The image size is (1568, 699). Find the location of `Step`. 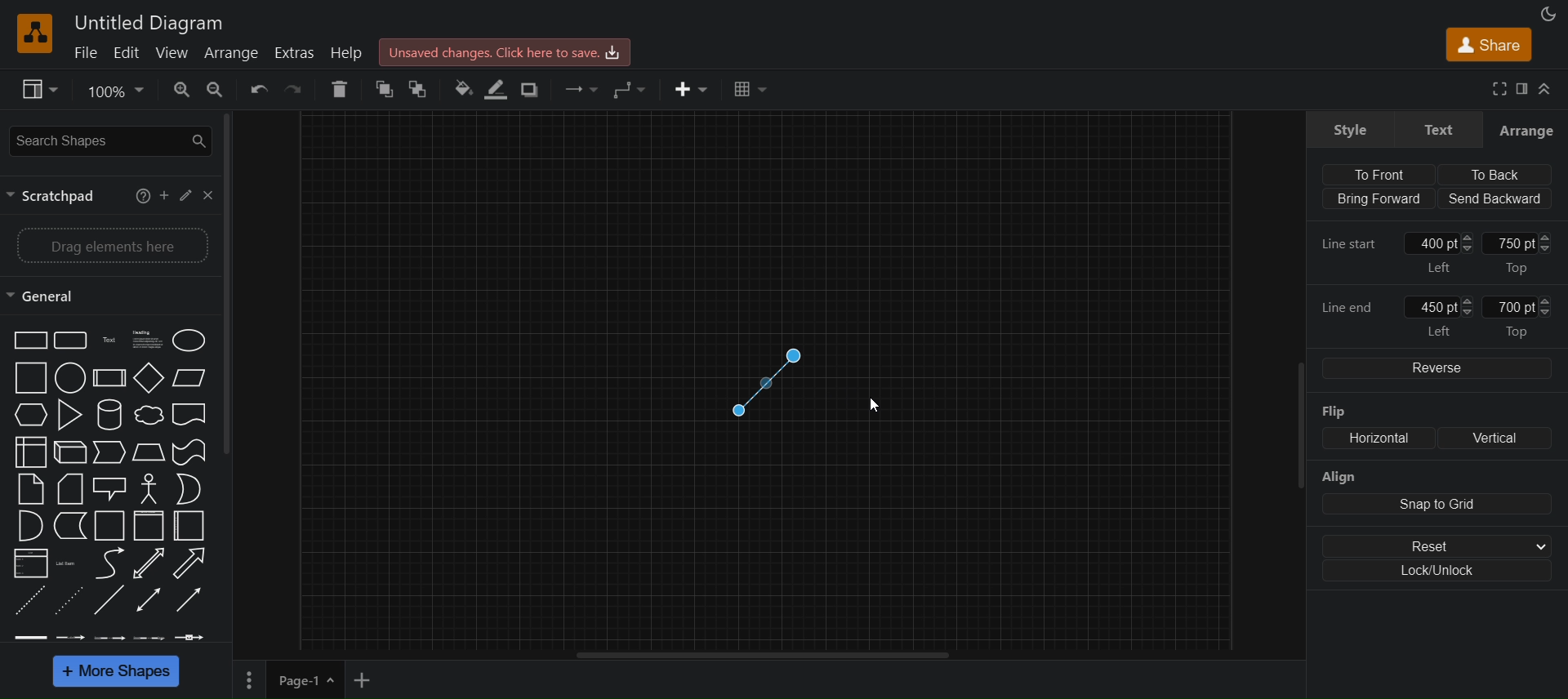

Step is located at coordinates (109, 453).